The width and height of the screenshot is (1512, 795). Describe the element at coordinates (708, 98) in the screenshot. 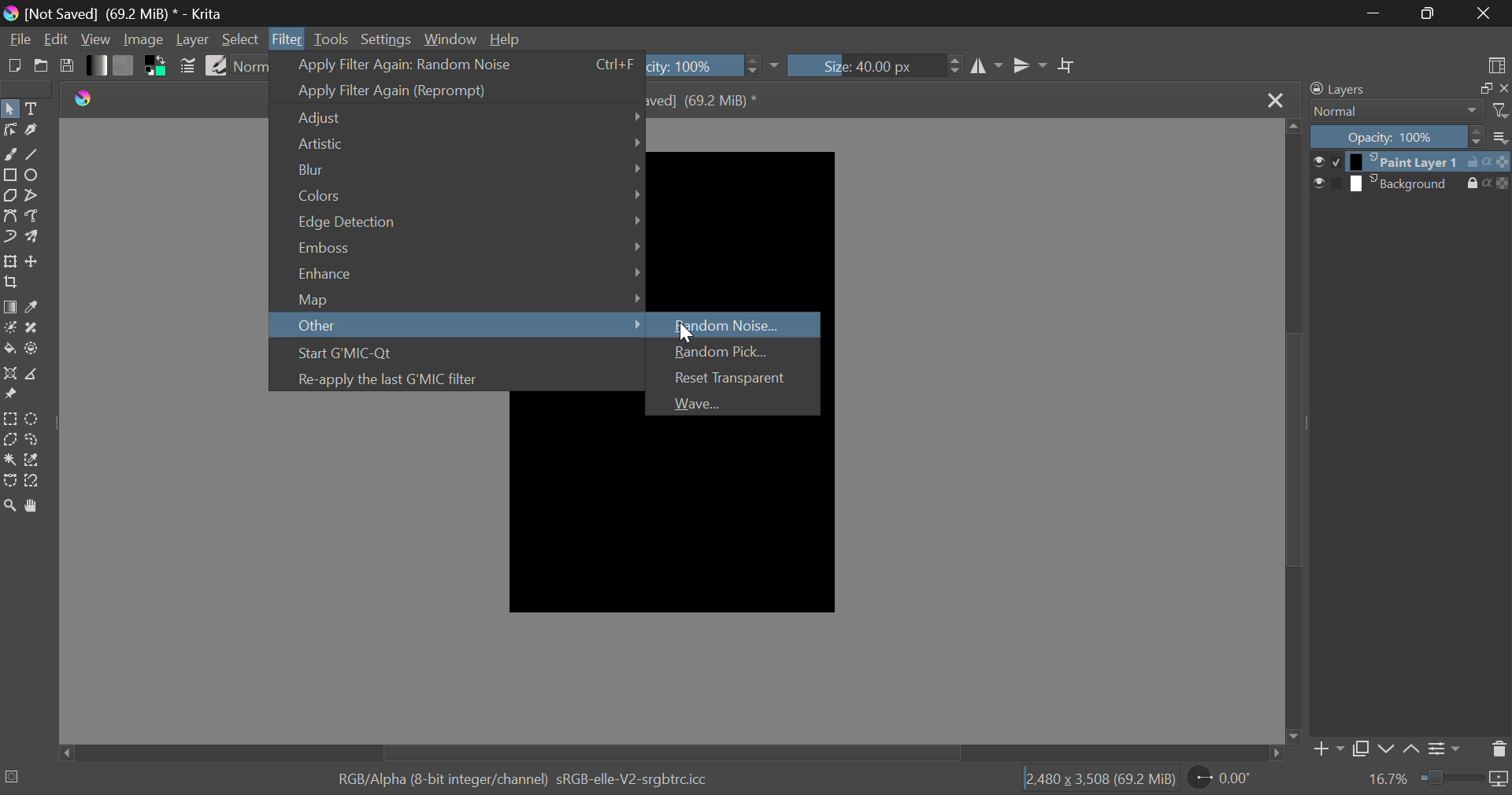

I see `[not saved] (69.2 mib)*` at that location.